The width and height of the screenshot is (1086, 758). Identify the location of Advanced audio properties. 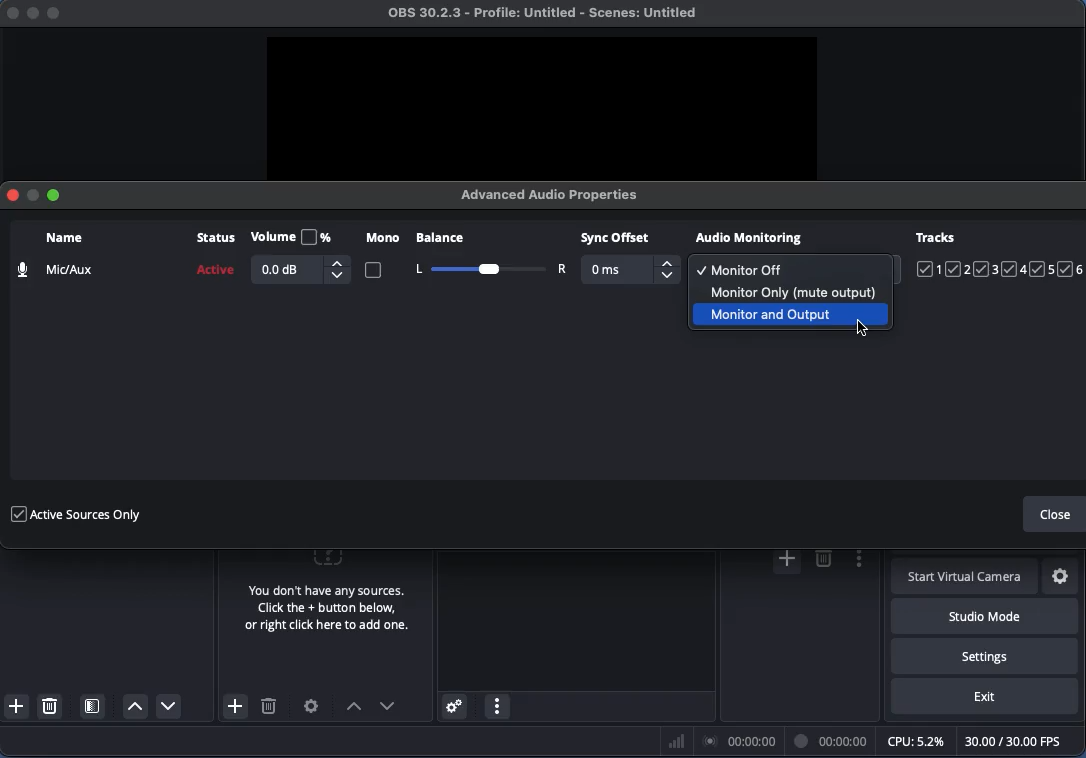
(453, 707).